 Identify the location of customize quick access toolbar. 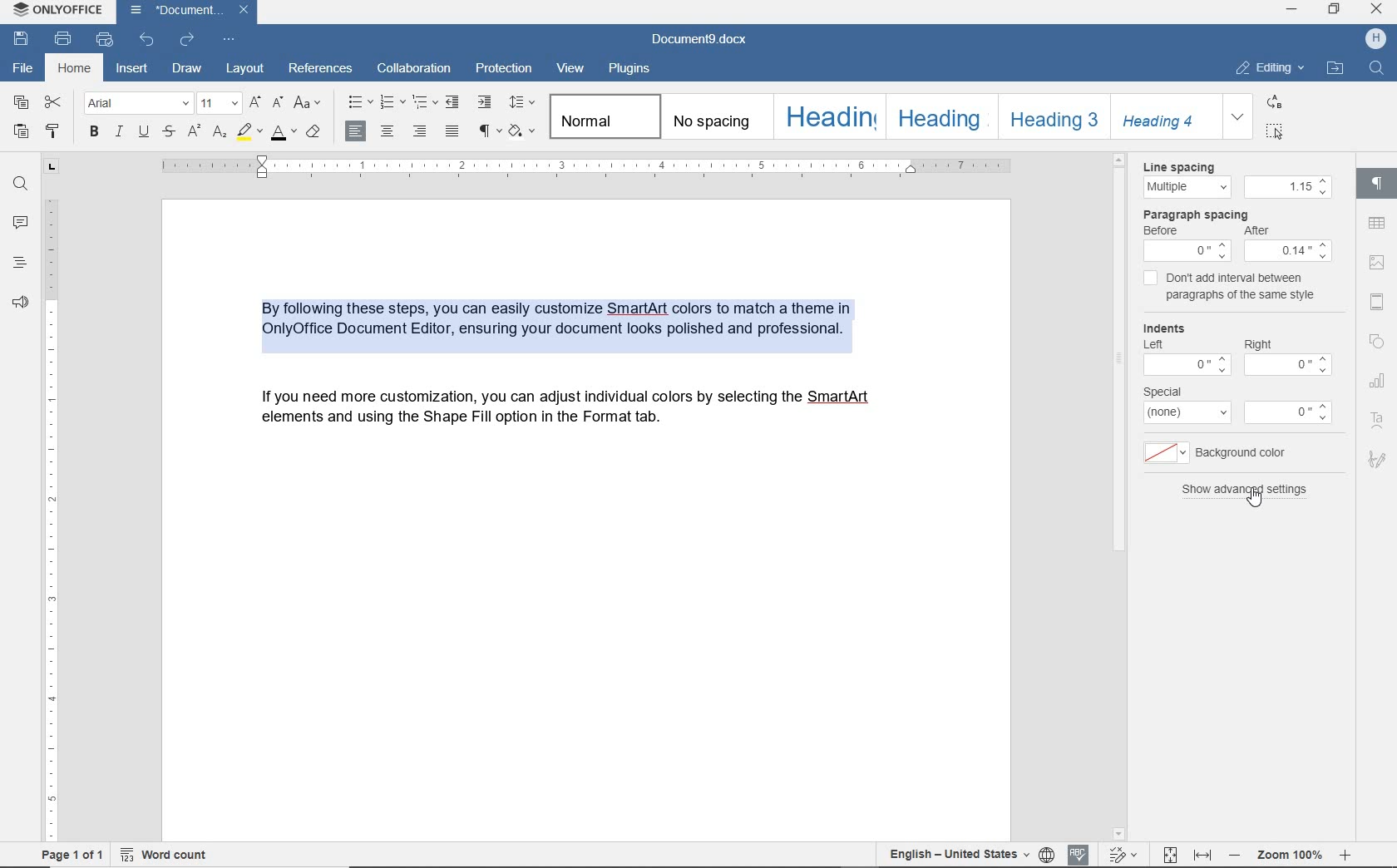
(229, 39).